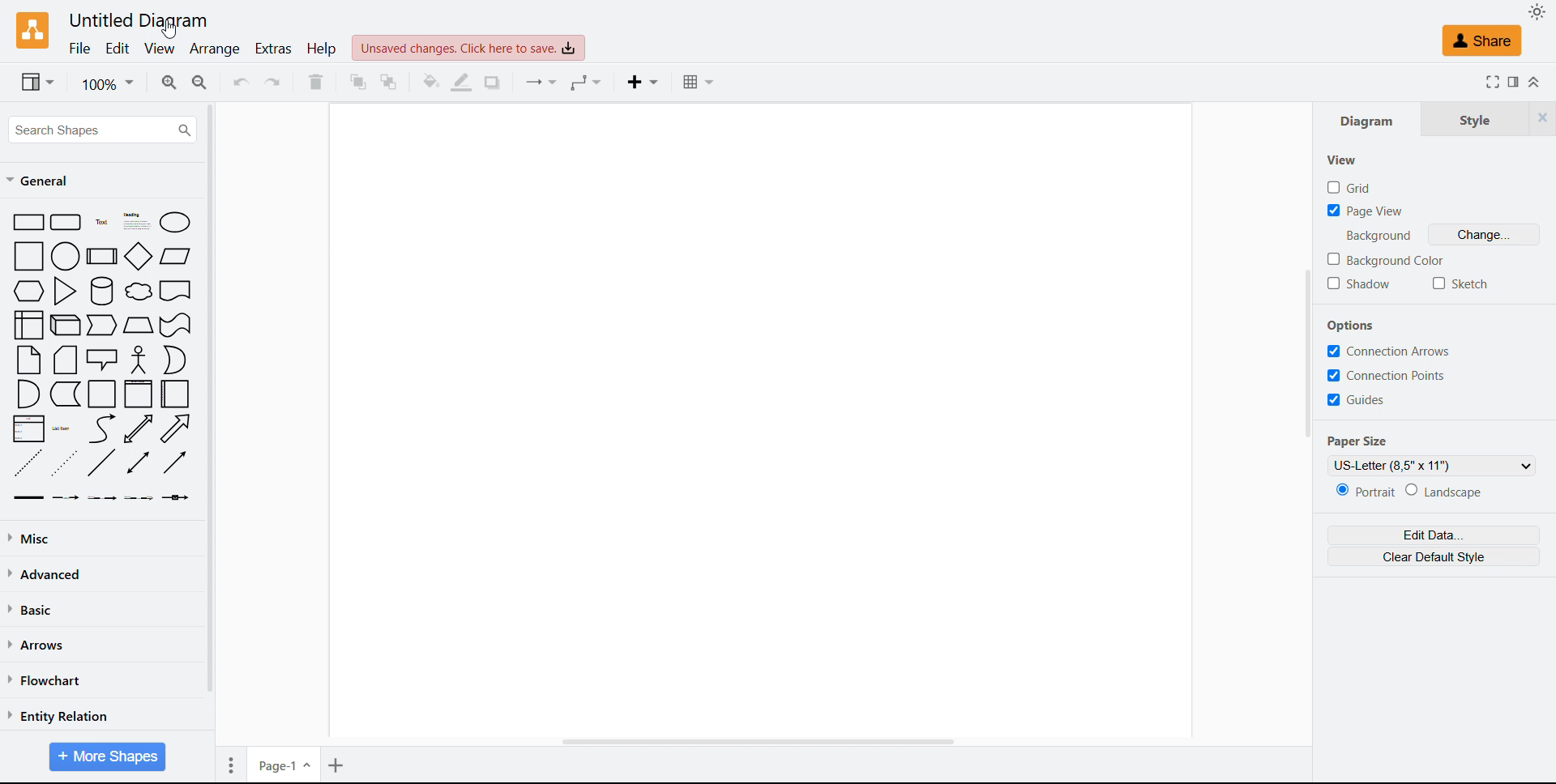 The height and width of the screenshot is (784, 1556). I want to click on view , so click(37, 81).